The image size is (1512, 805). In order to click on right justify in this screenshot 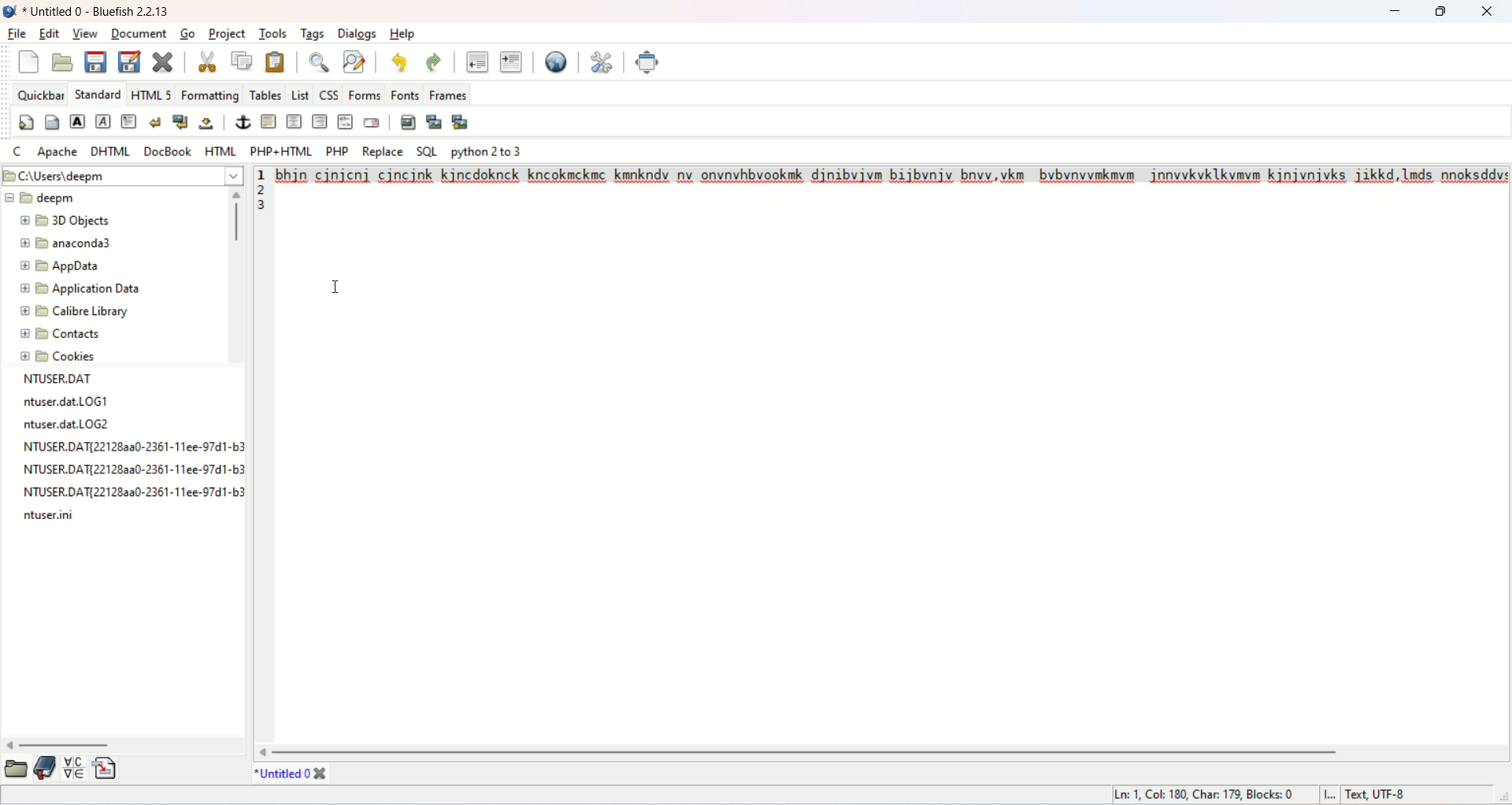, I will do `click(322, 124)`.